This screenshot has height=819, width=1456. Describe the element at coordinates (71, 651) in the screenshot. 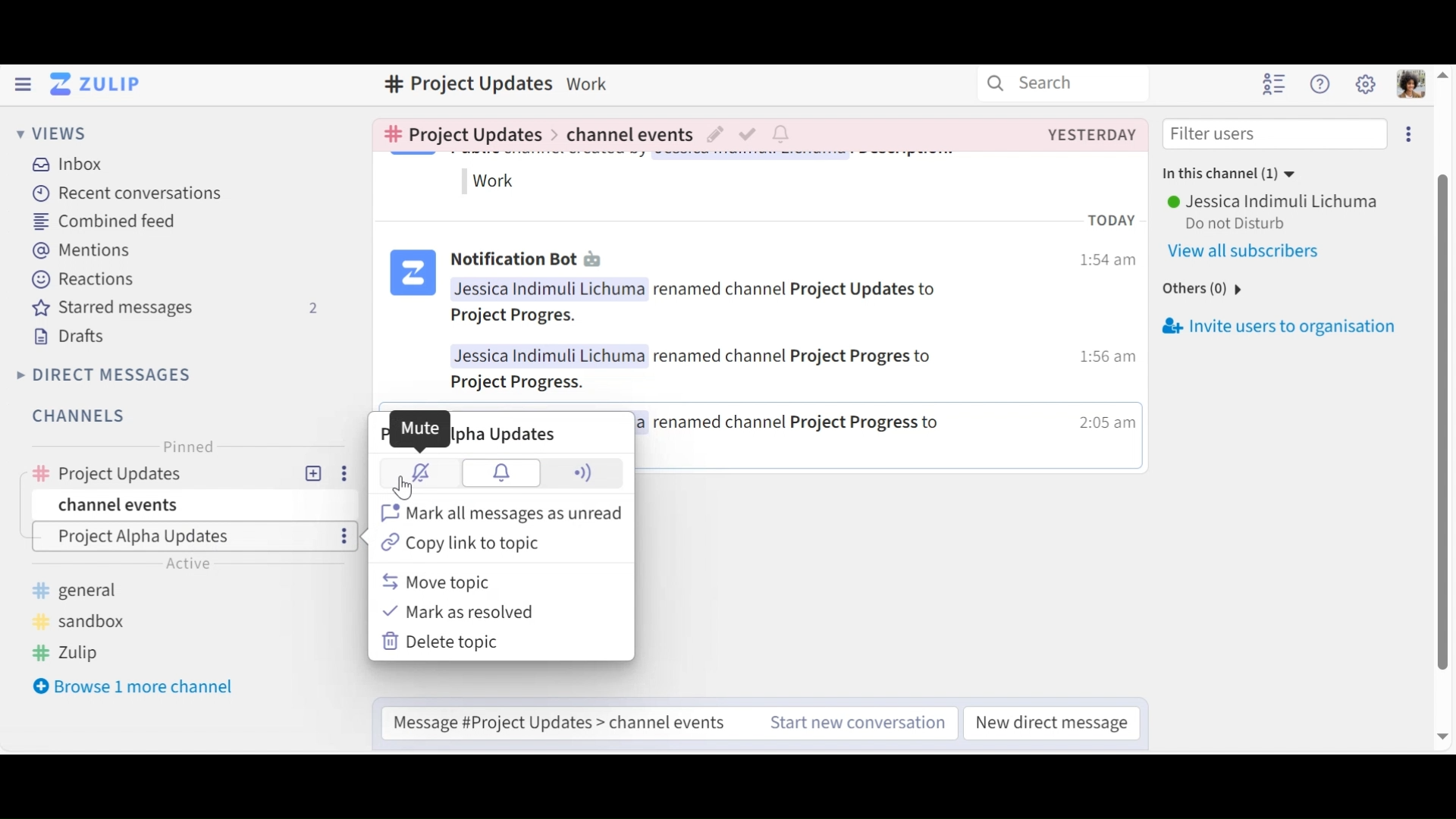

I see `Zulip` at that location.